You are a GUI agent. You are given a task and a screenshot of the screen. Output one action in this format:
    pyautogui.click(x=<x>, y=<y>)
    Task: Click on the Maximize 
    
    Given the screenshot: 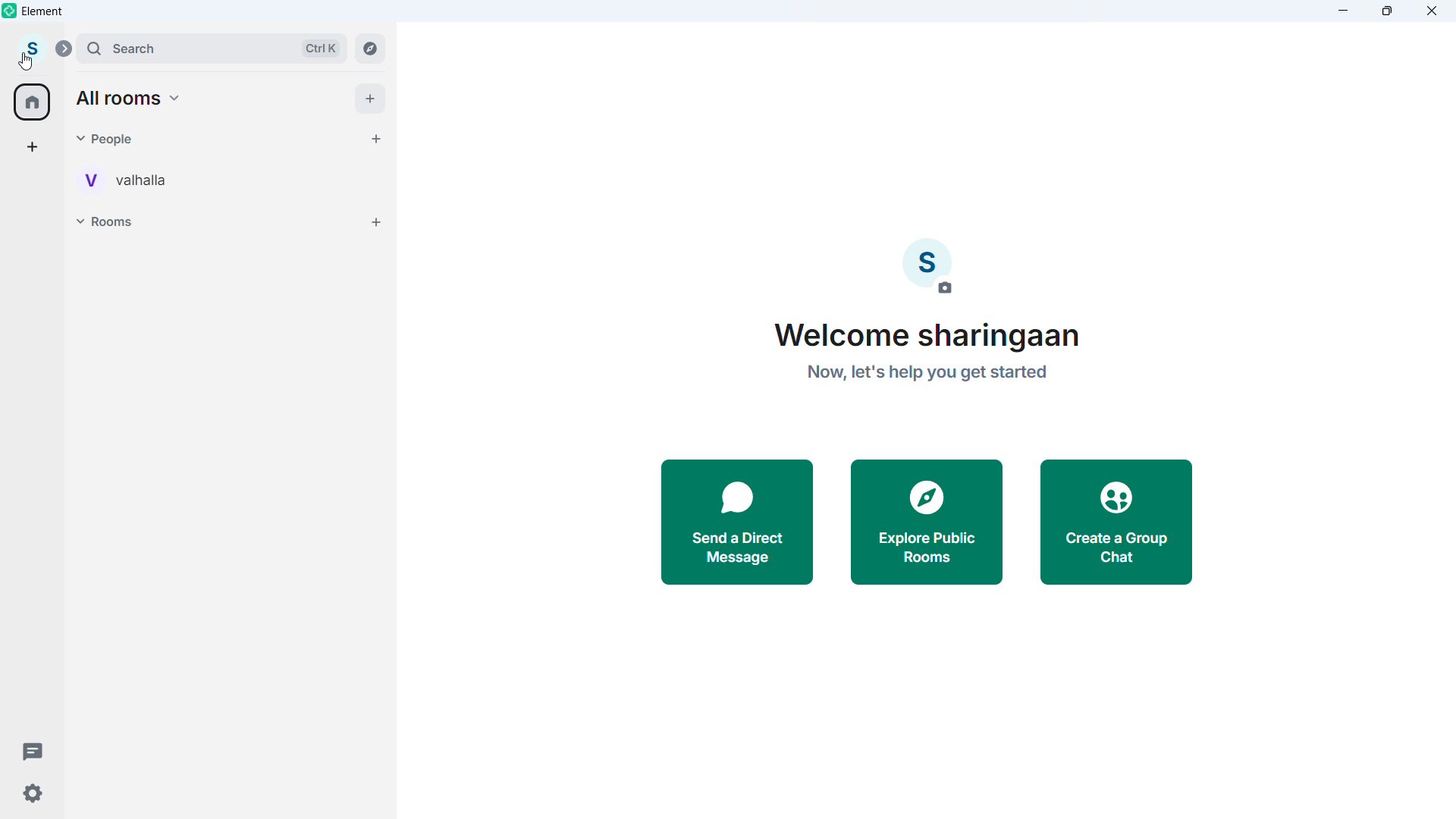 What is the action you would take?
    pyautogui.click(x=1388, y=11)
    